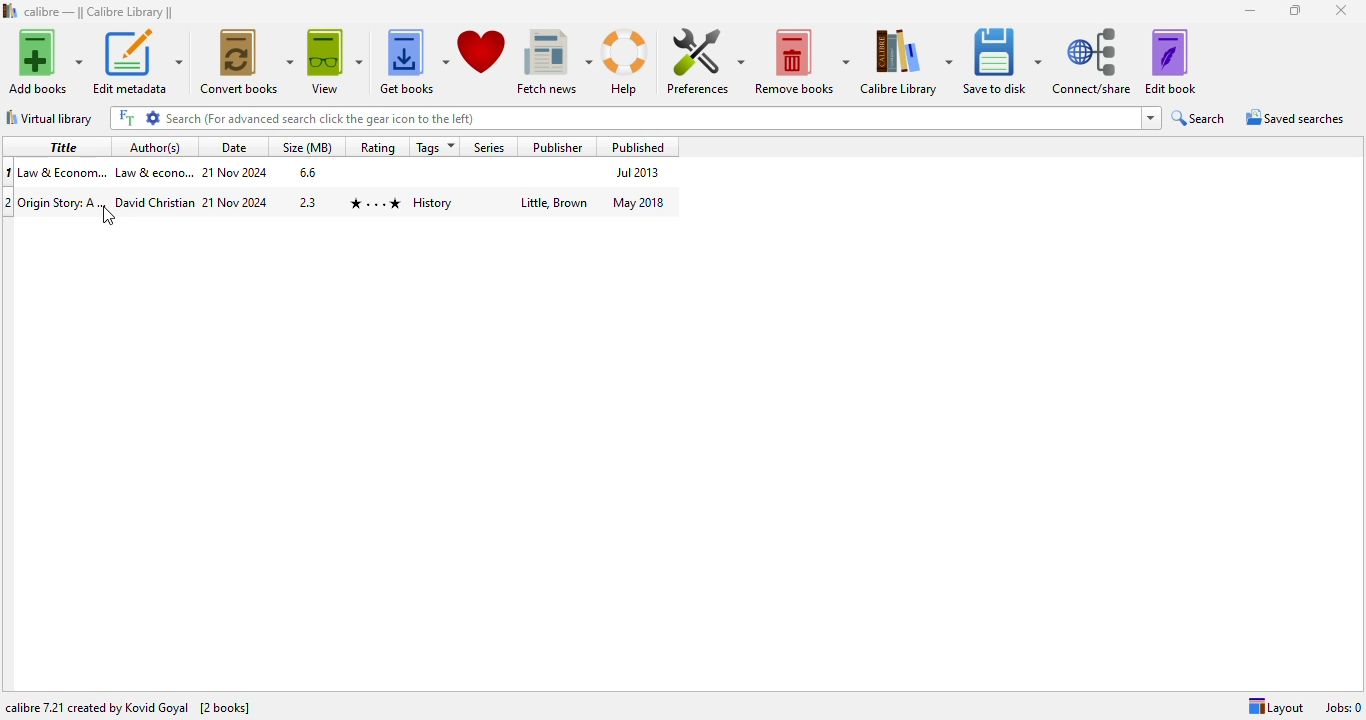  Describe the element at coordinates (1170, 62) in the screenshot. I see `edit book` at that location.